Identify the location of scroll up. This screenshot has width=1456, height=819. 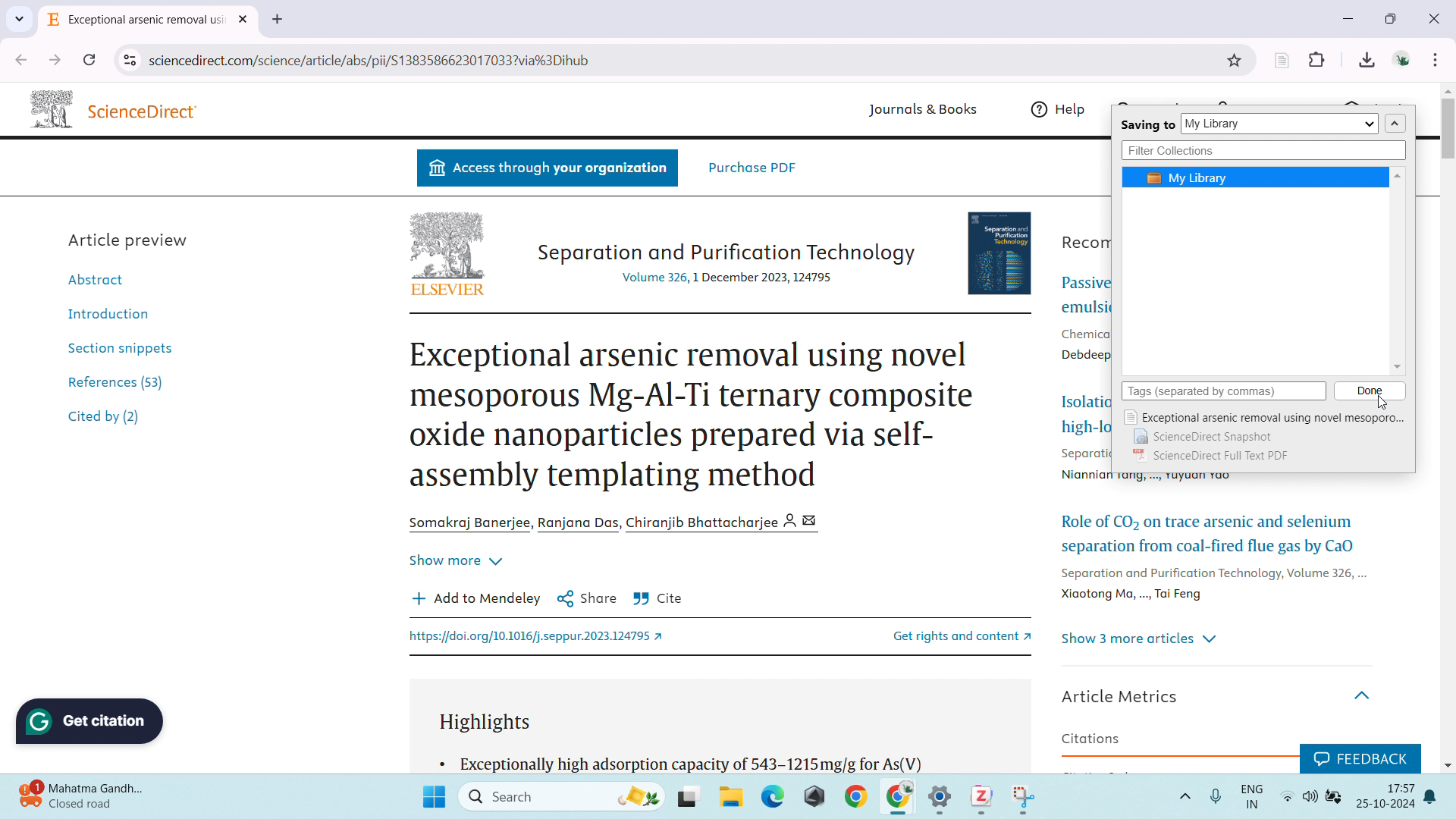
(1399, 175).